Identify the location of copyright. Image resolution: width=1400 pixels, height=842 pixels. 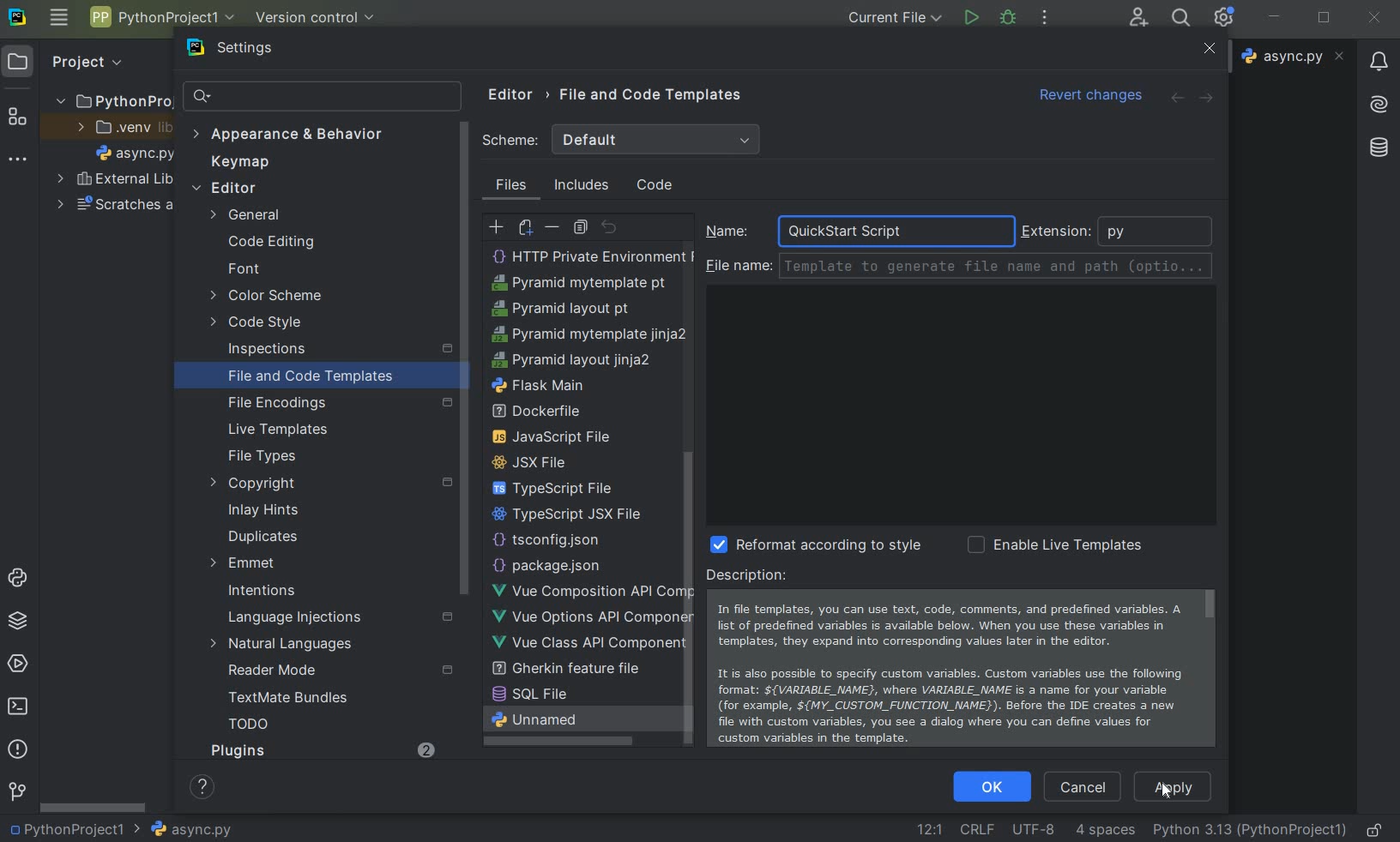
(327, 485).